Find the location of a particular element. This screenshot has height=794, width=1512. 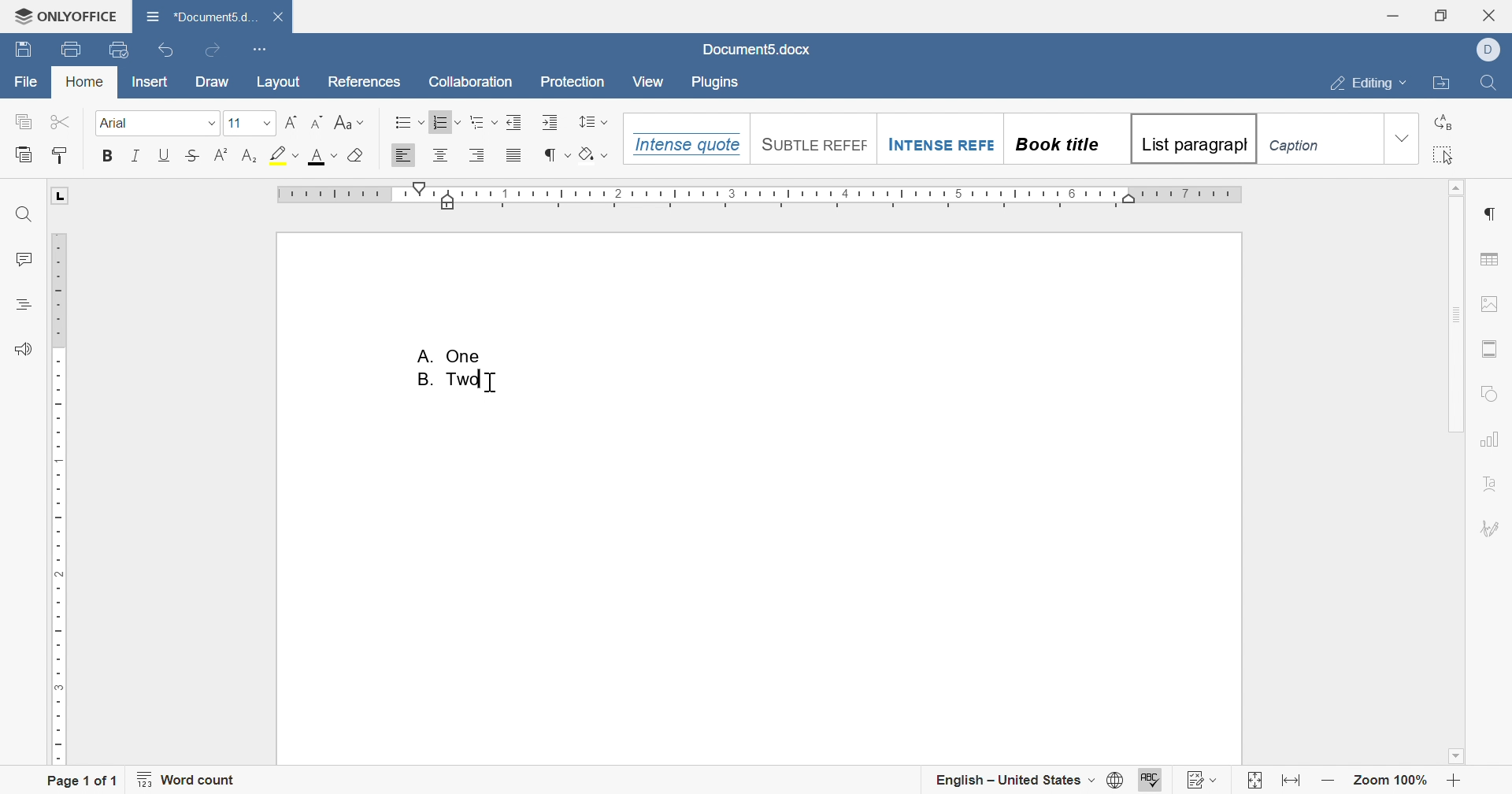

drop down is located at coordinates (269, 122).